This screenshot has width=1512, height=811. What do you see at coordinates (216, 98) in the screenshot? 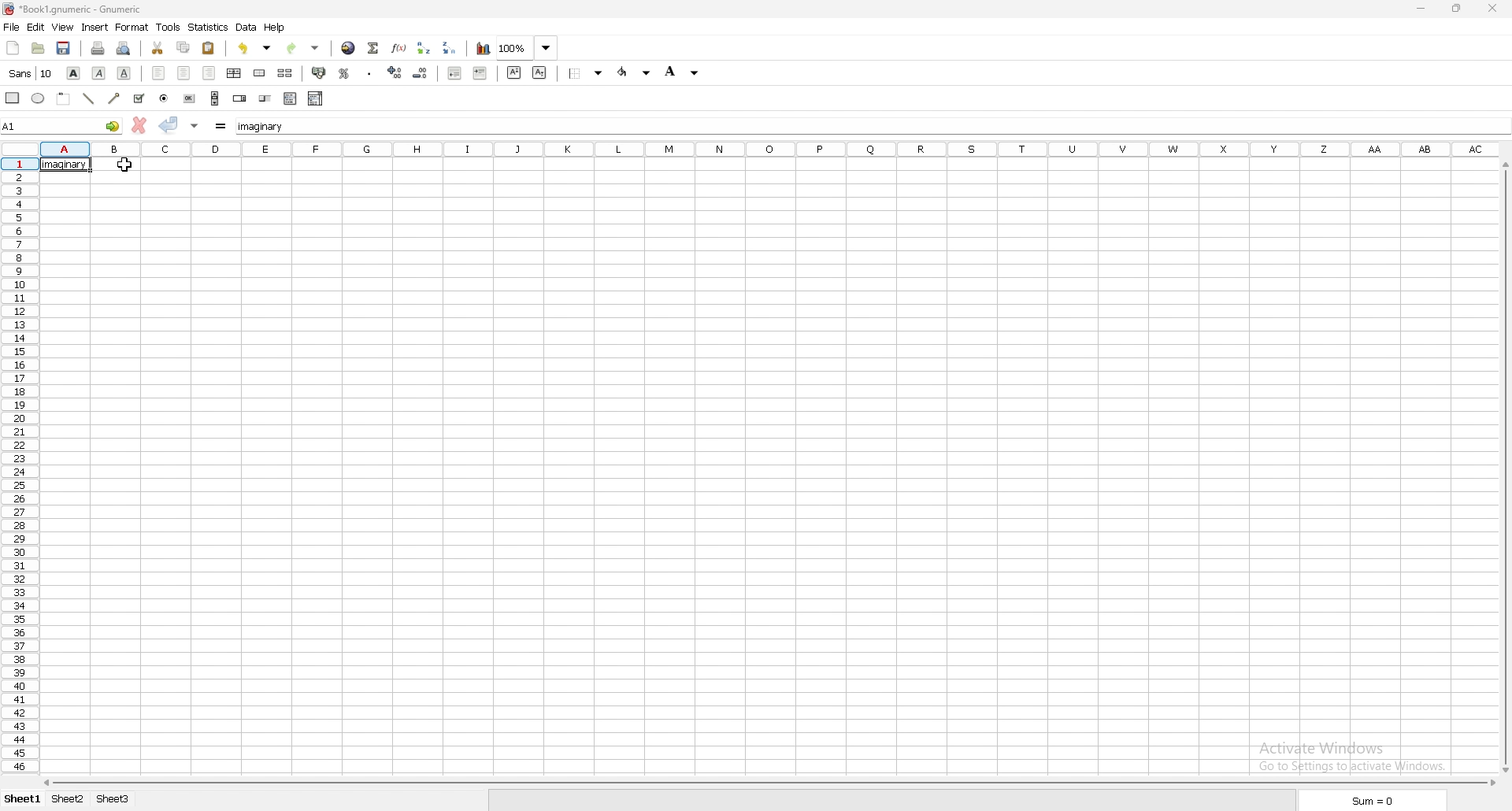
I see `scroll bar` at bounding box center [216, 98].